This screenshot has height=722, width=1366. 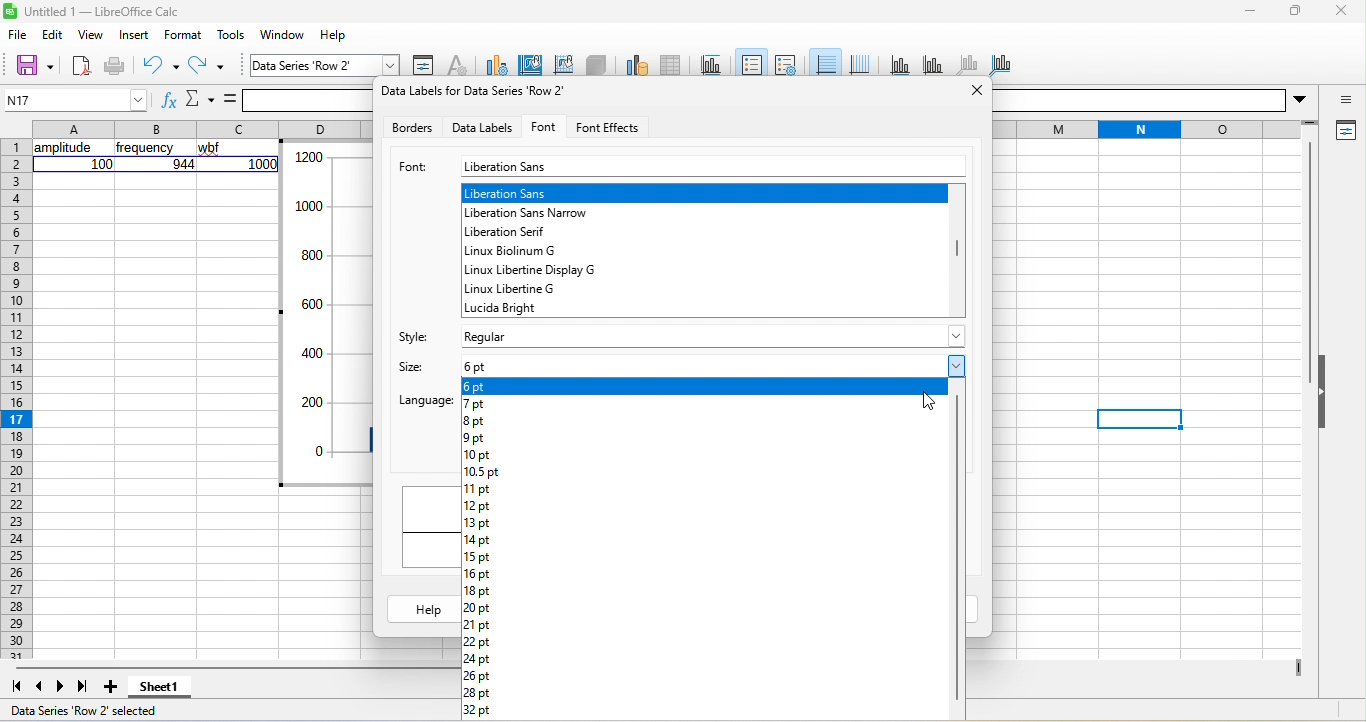 I want to click on help, so click(x=332, y=34).